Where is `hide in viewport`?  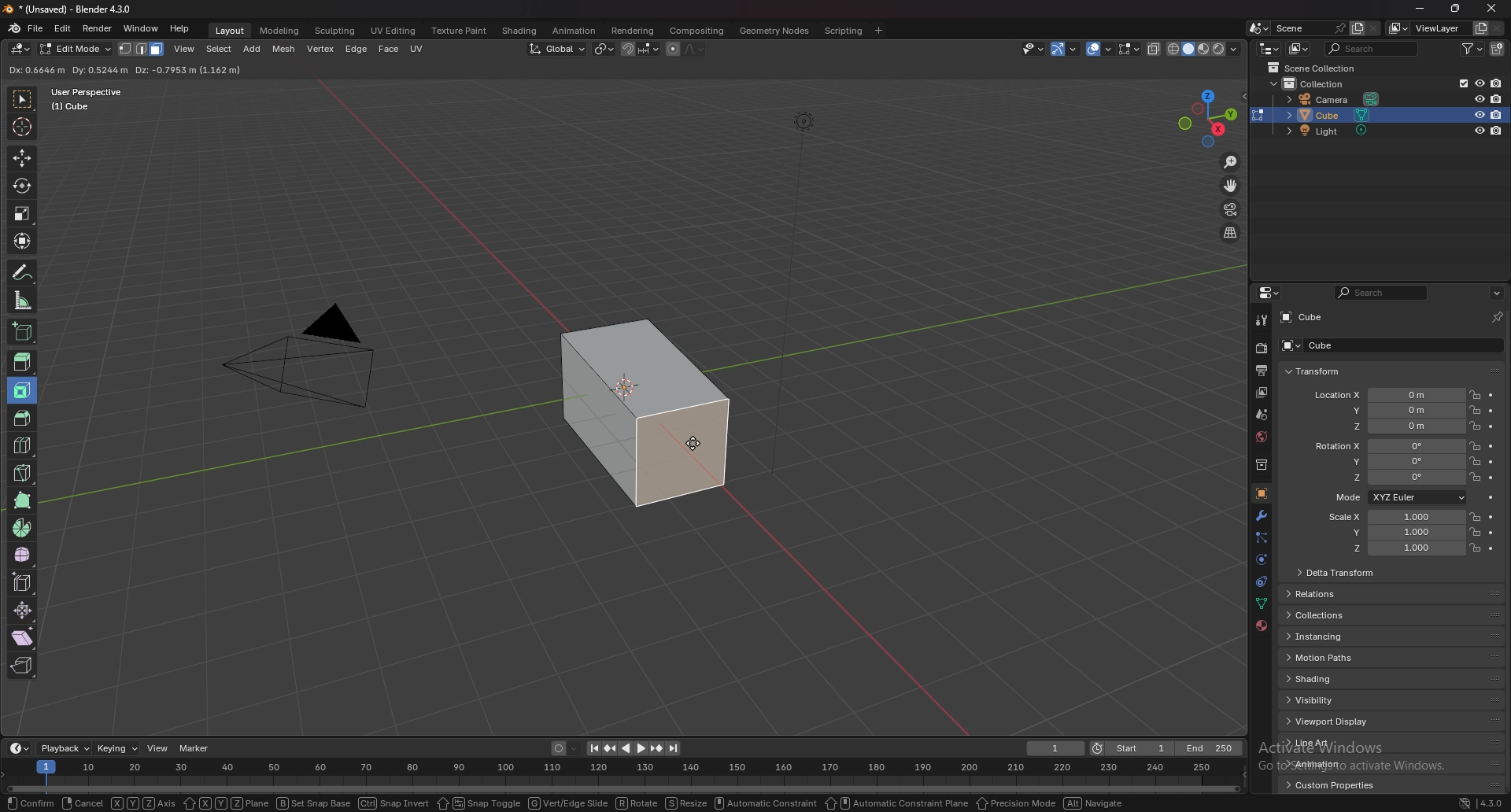
hide in viewport is located at coordinates (1479, 131).